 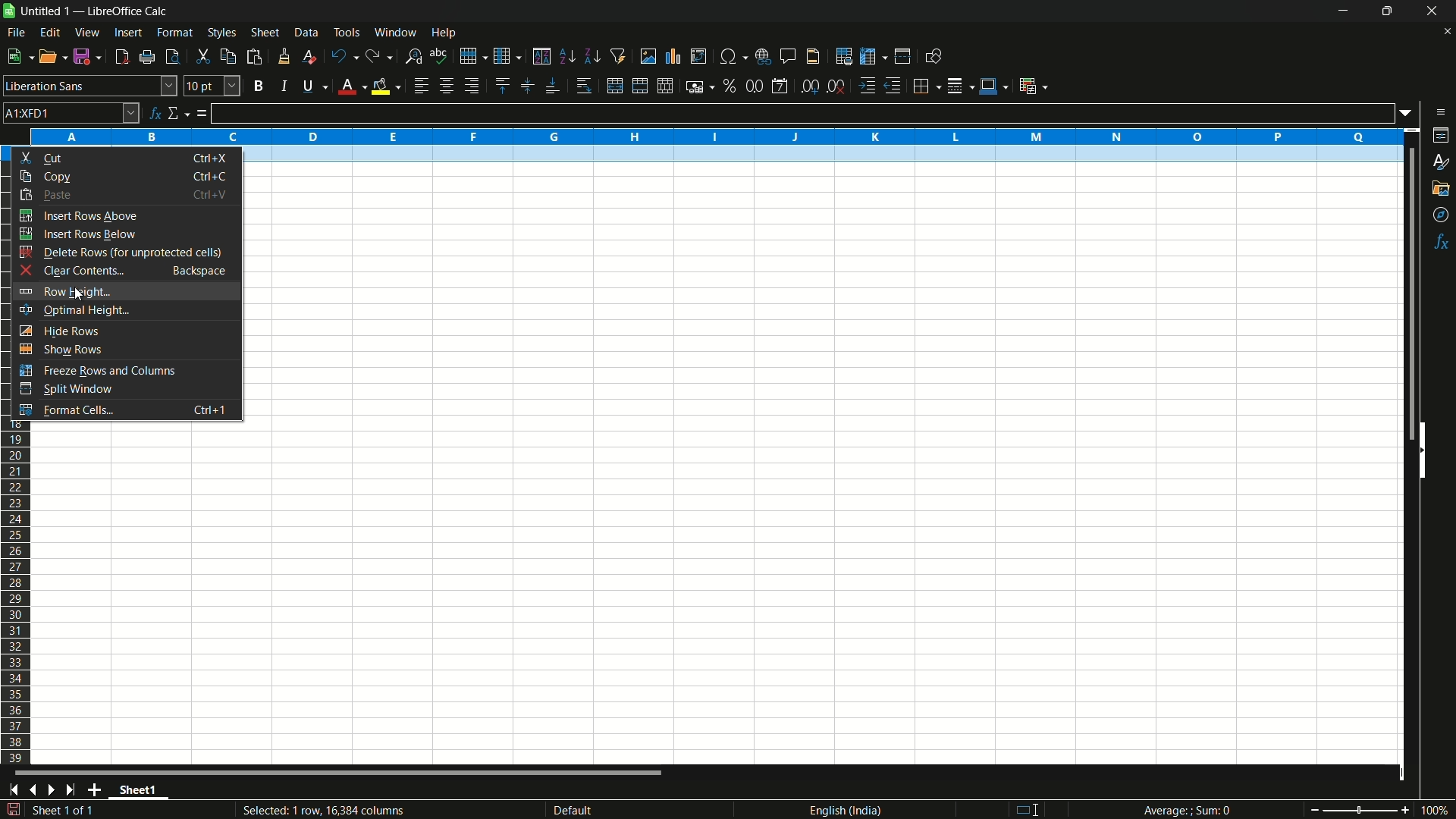 I want to click on sidebar settings, so click(x=1440, y=112).